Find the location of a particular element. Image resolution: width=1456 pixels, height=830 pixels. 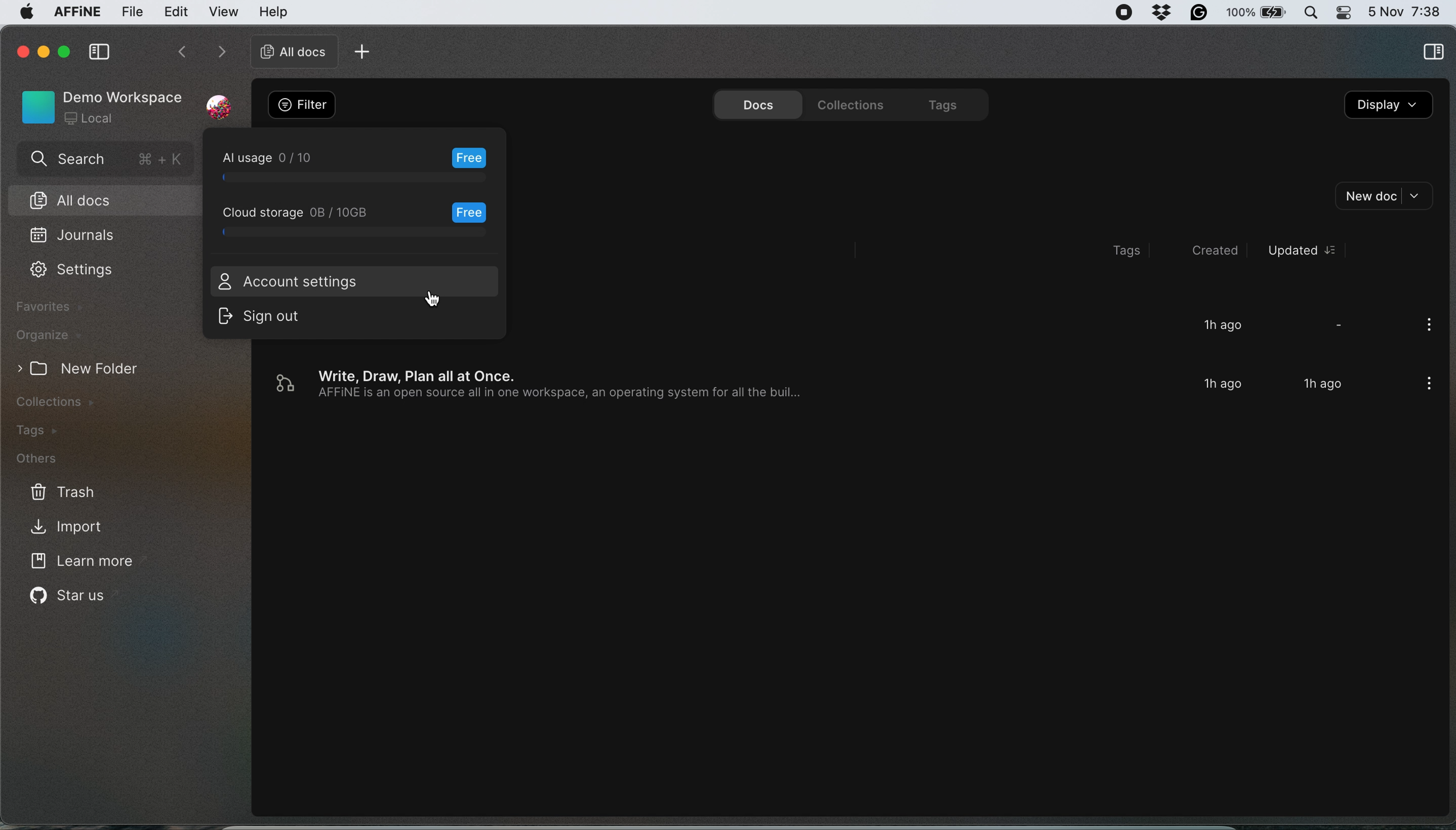

help is located at coordinates (274, 11).